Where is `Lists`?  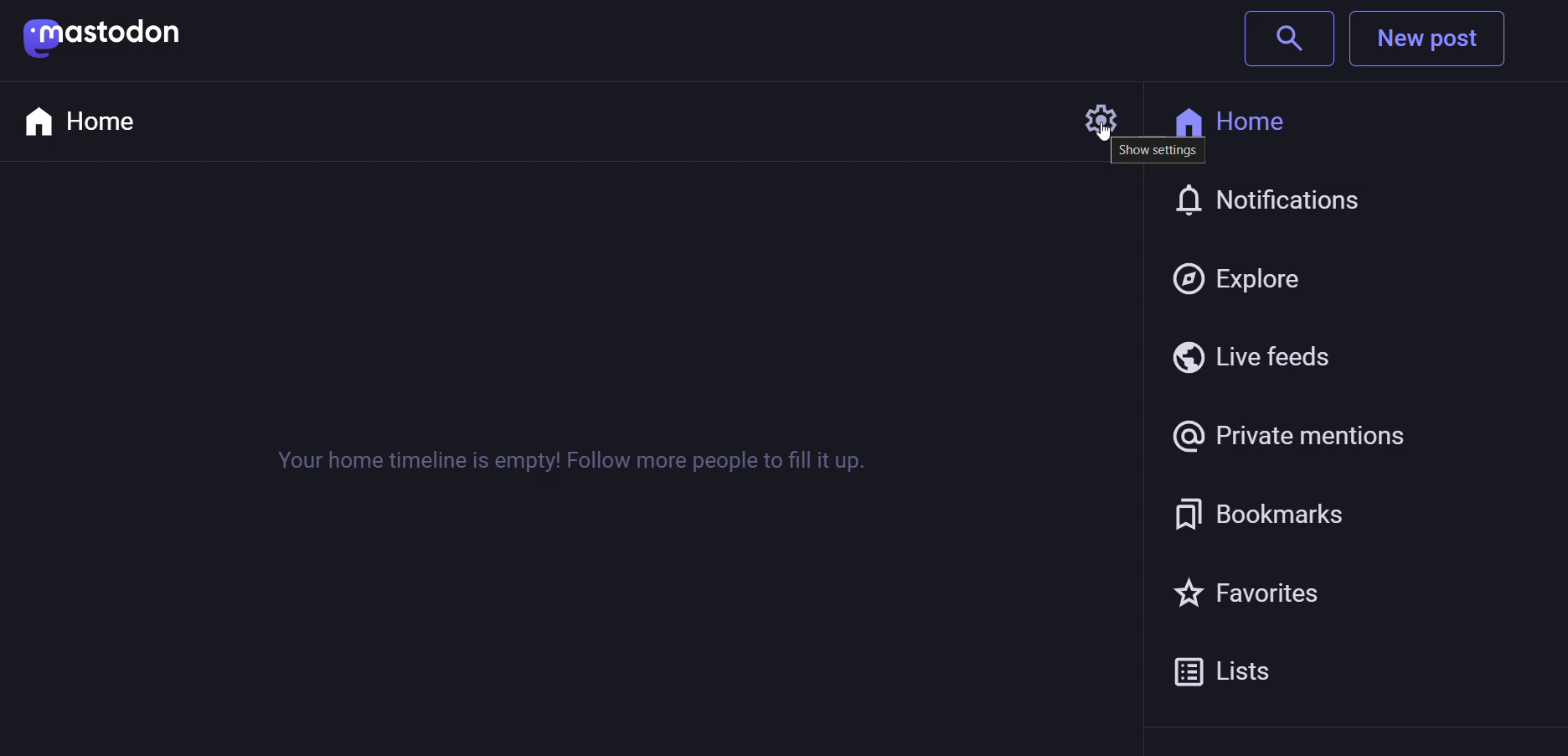
Lists is located at coordinates (1278, 668).